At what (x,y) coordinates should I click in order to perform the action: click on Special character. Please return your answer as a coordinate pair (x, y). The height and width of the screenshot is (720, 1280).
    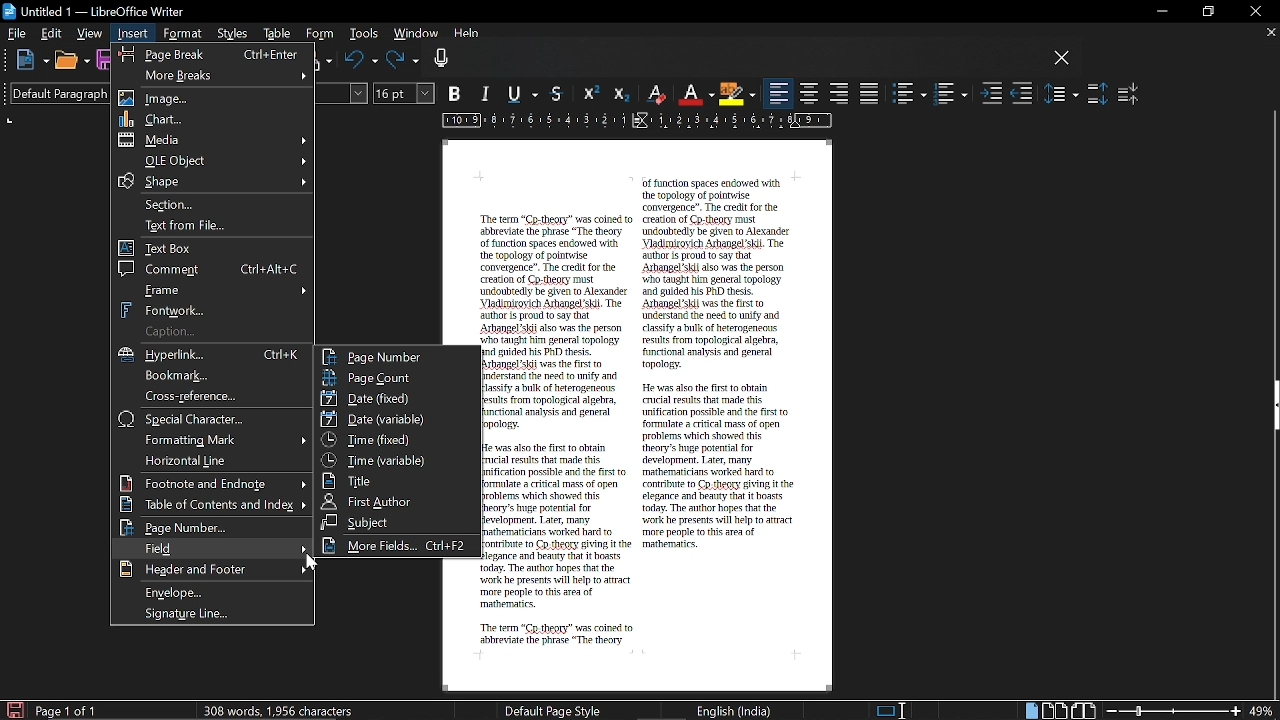
    Looking at the image, I should click on (214, 419).